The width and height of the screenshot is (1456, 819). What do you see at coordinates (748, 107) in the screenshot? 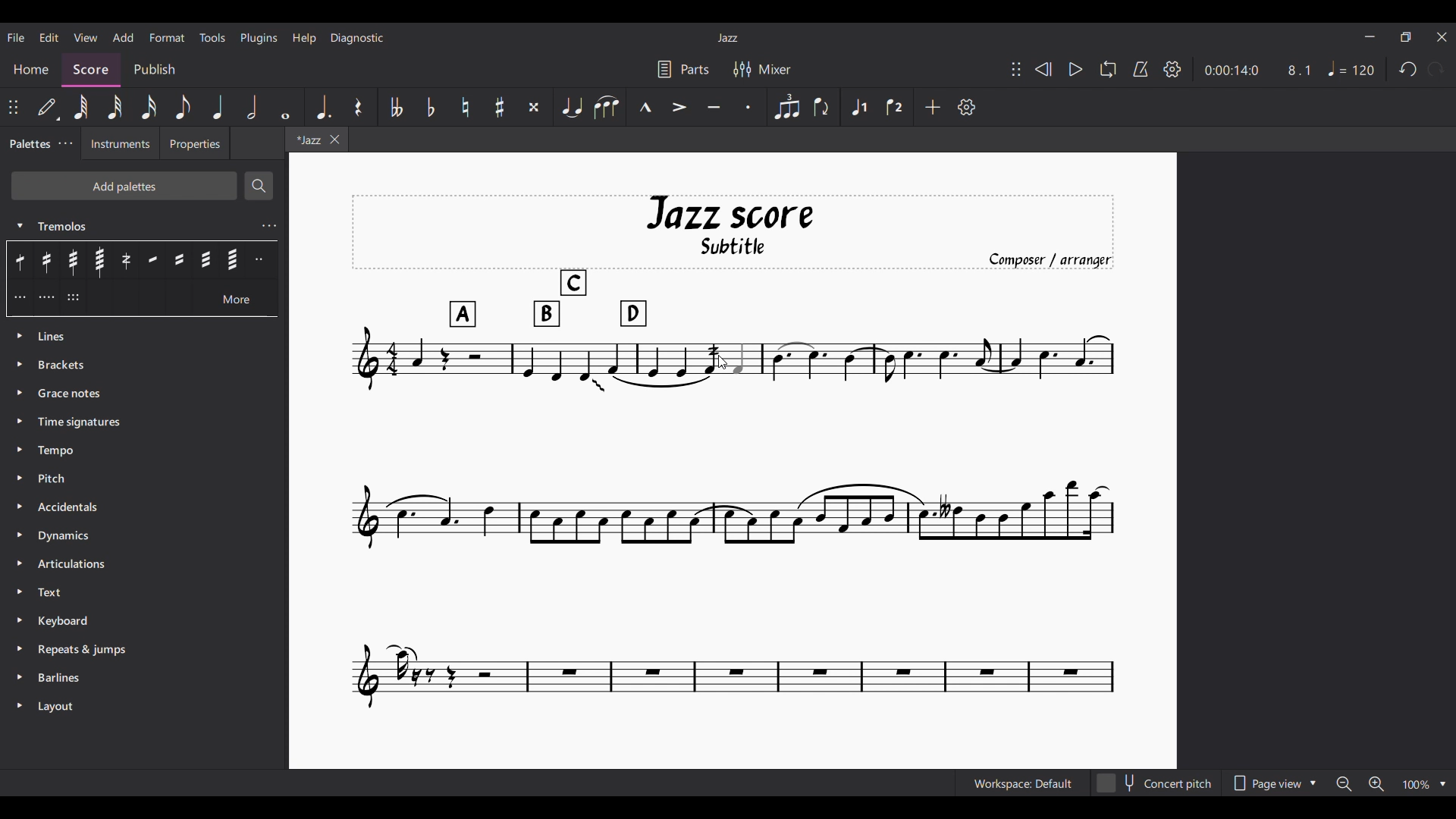
I see `Staccato` at bounding box center [748, 107].